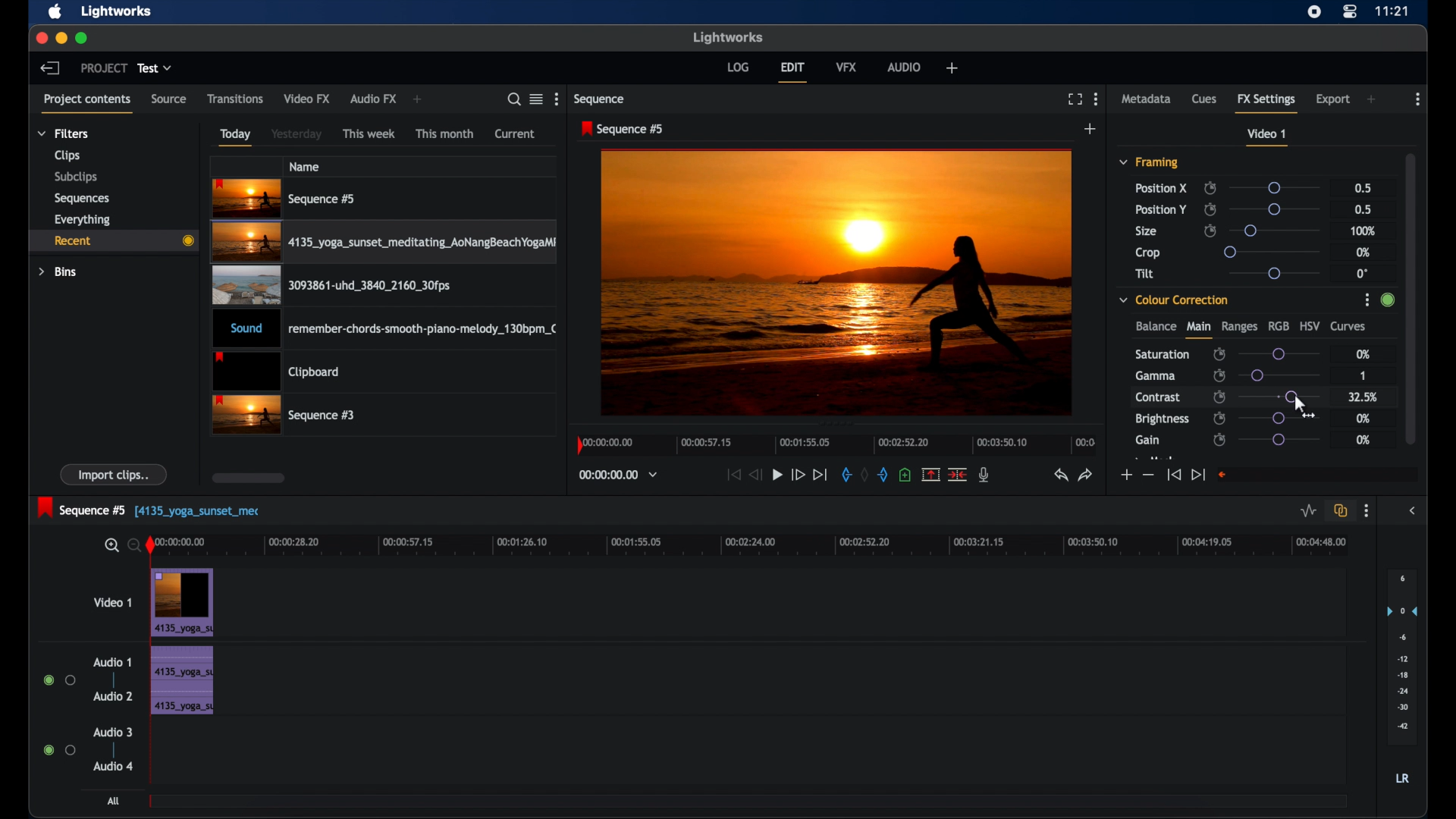 This screenshot has width=1456, height=819. Describe the element at coordinates (40, 37) in the screenshot. I see `close` at that location.